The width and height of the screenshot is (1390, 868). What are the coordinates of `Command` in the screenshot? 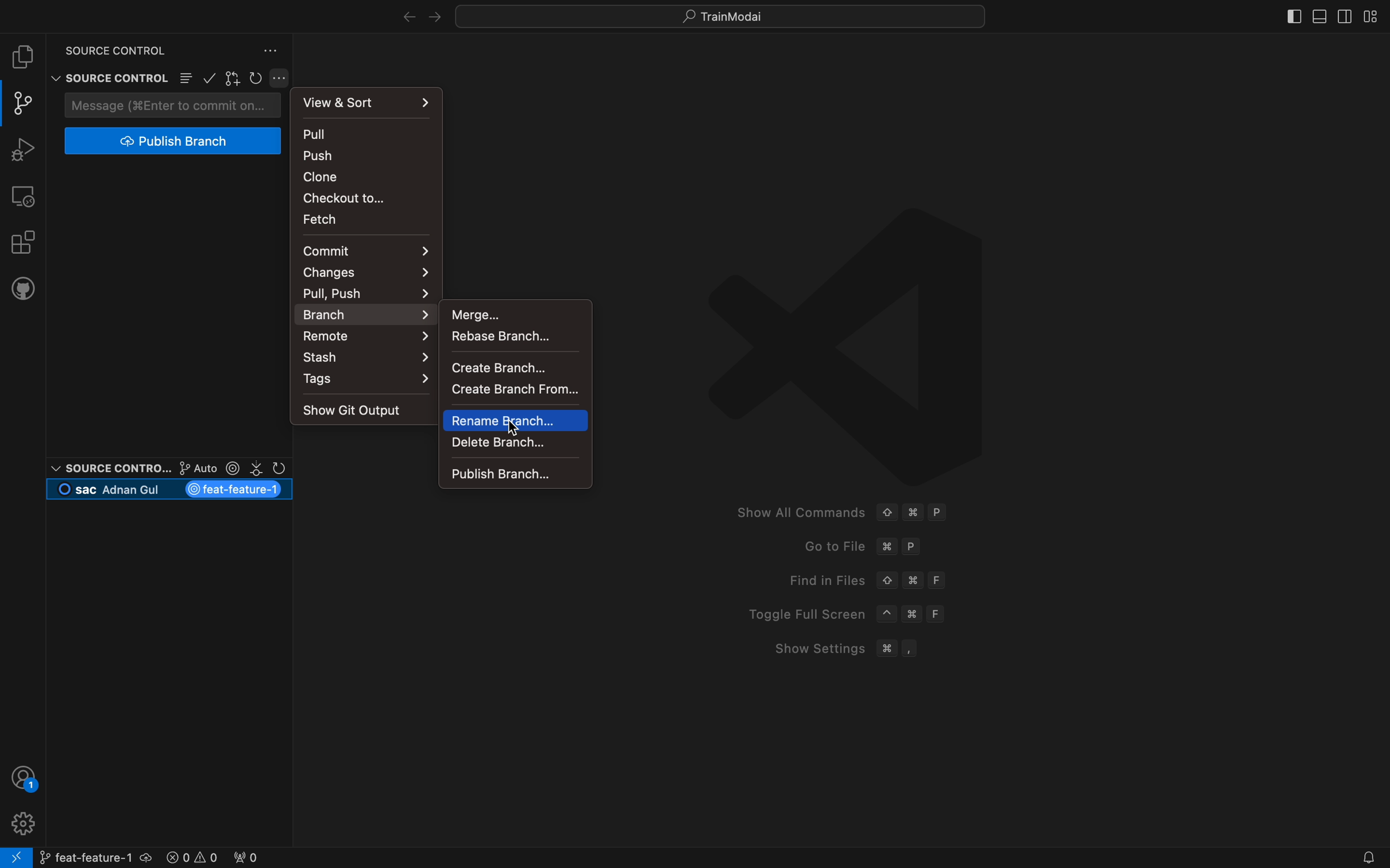 It's located at (913, 513).